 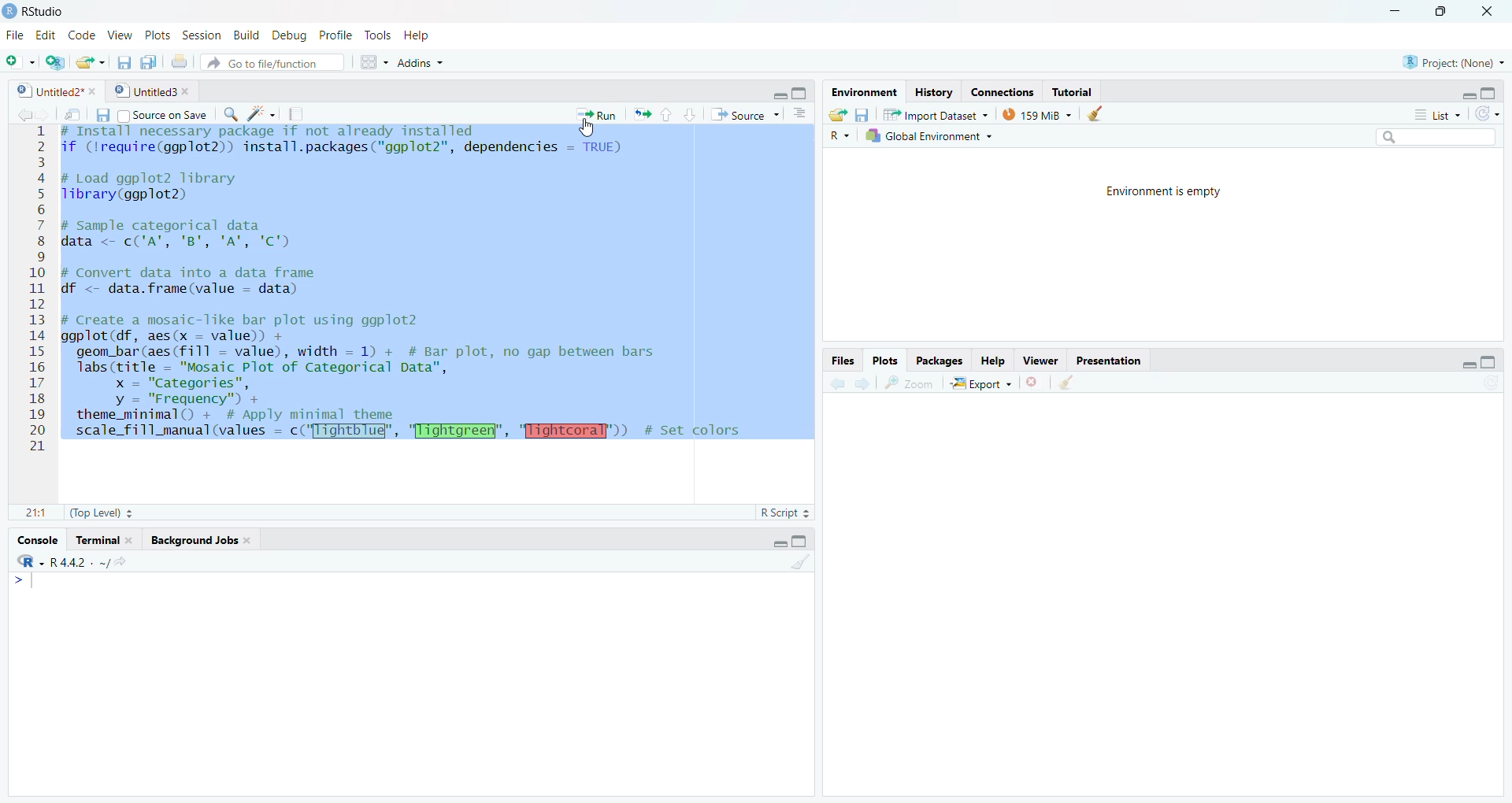 I want to click on Row Number, so click(x=35, y=290).